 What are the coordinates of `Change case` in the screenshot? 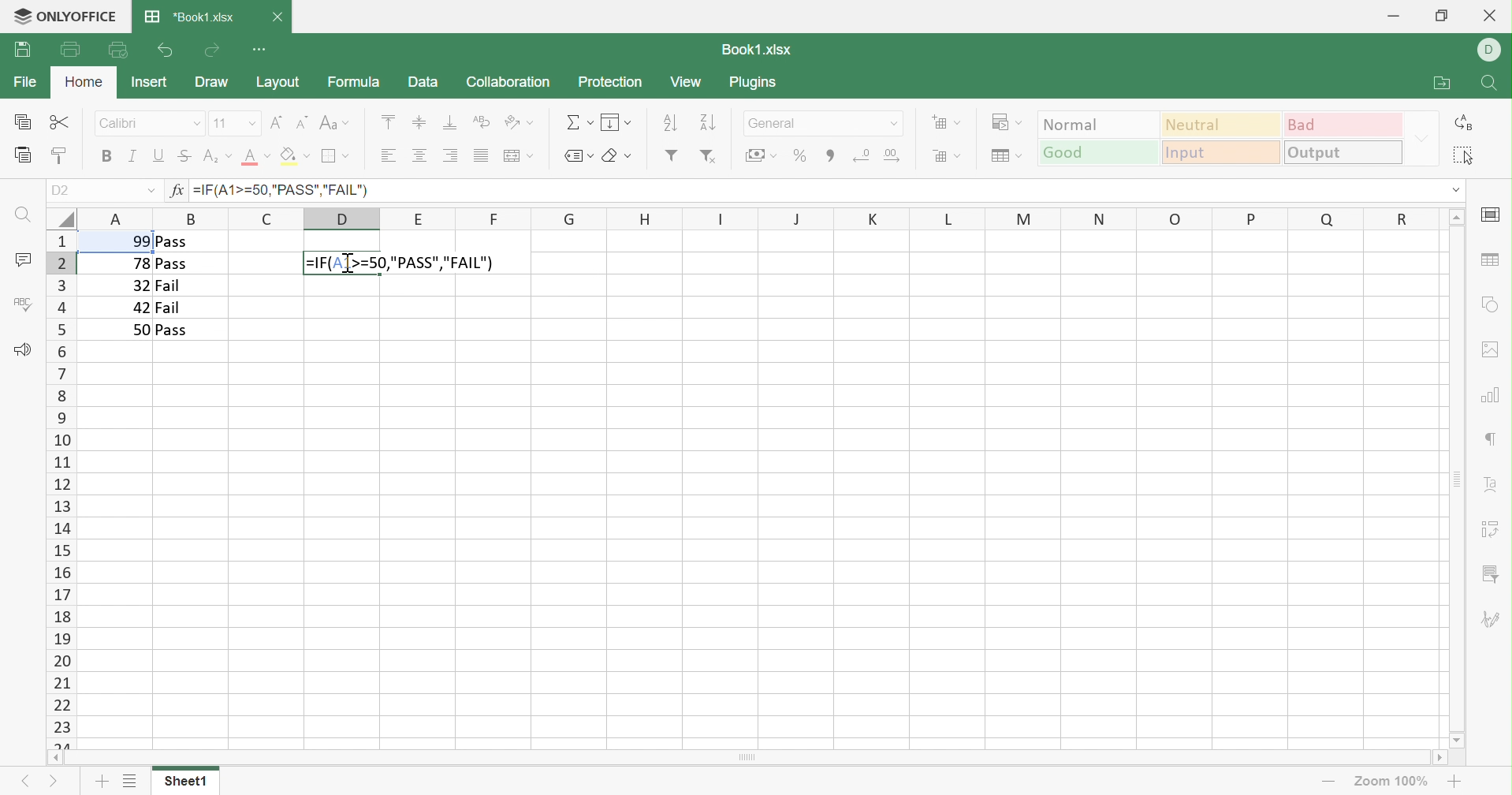 It's located at (333, 125).